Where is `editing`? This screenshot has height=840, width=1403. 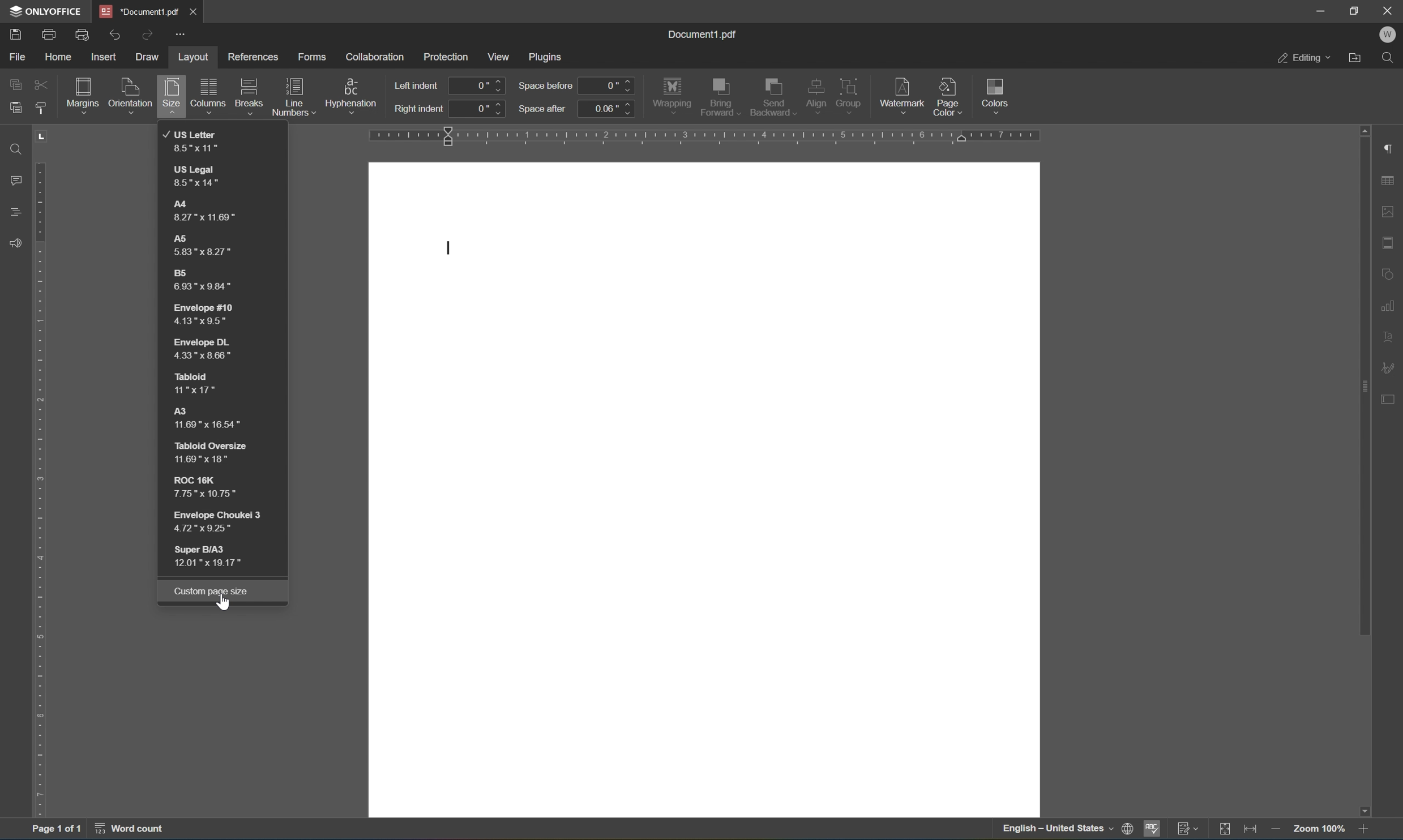 editing is located at coordinates (1303, 59).